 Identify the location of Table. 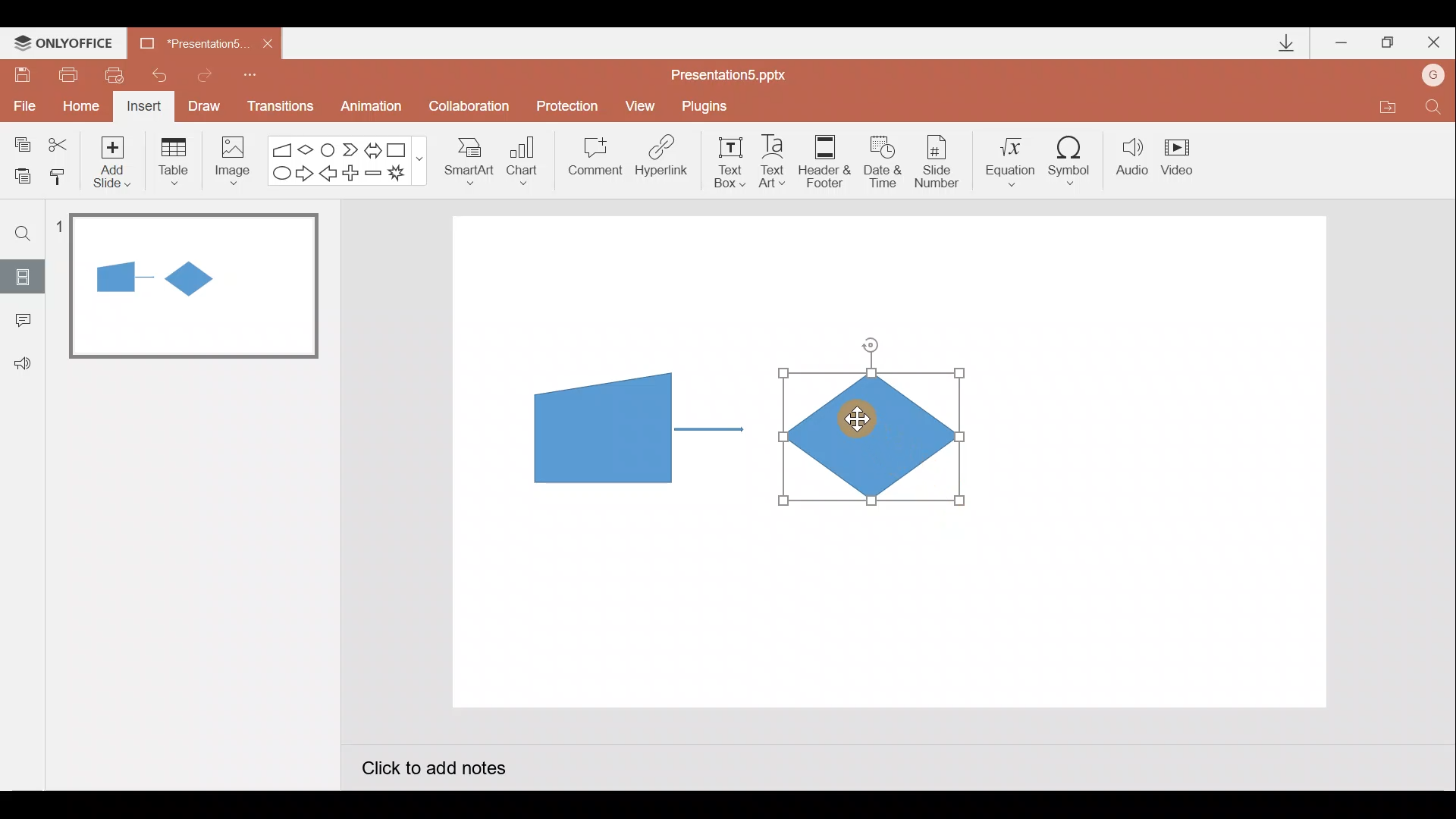
(172, 160).